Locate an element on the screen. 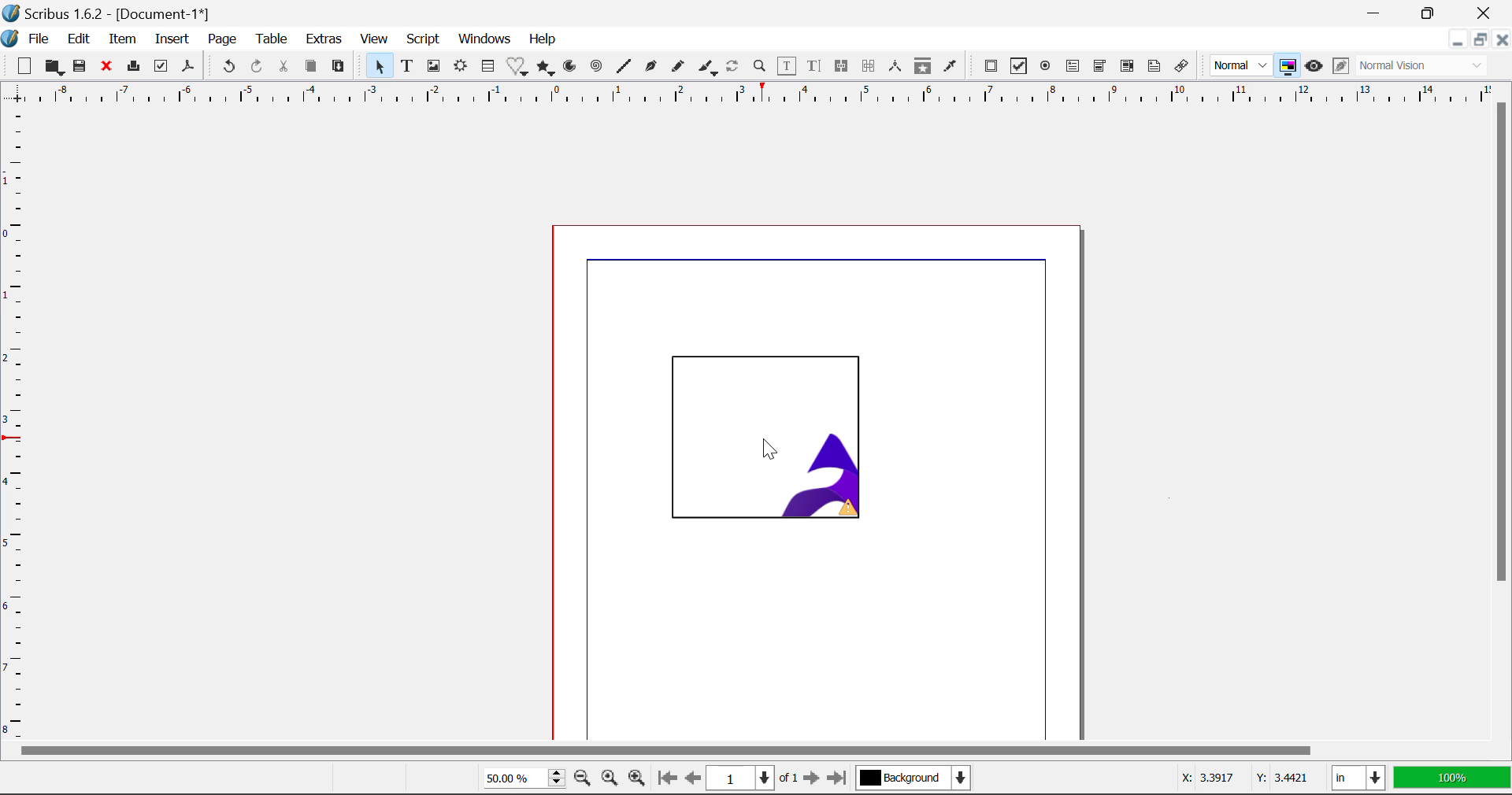 The height and width of the screenshot is (795, 1512). Calligraphic Line is located at coordinates (710, 68).